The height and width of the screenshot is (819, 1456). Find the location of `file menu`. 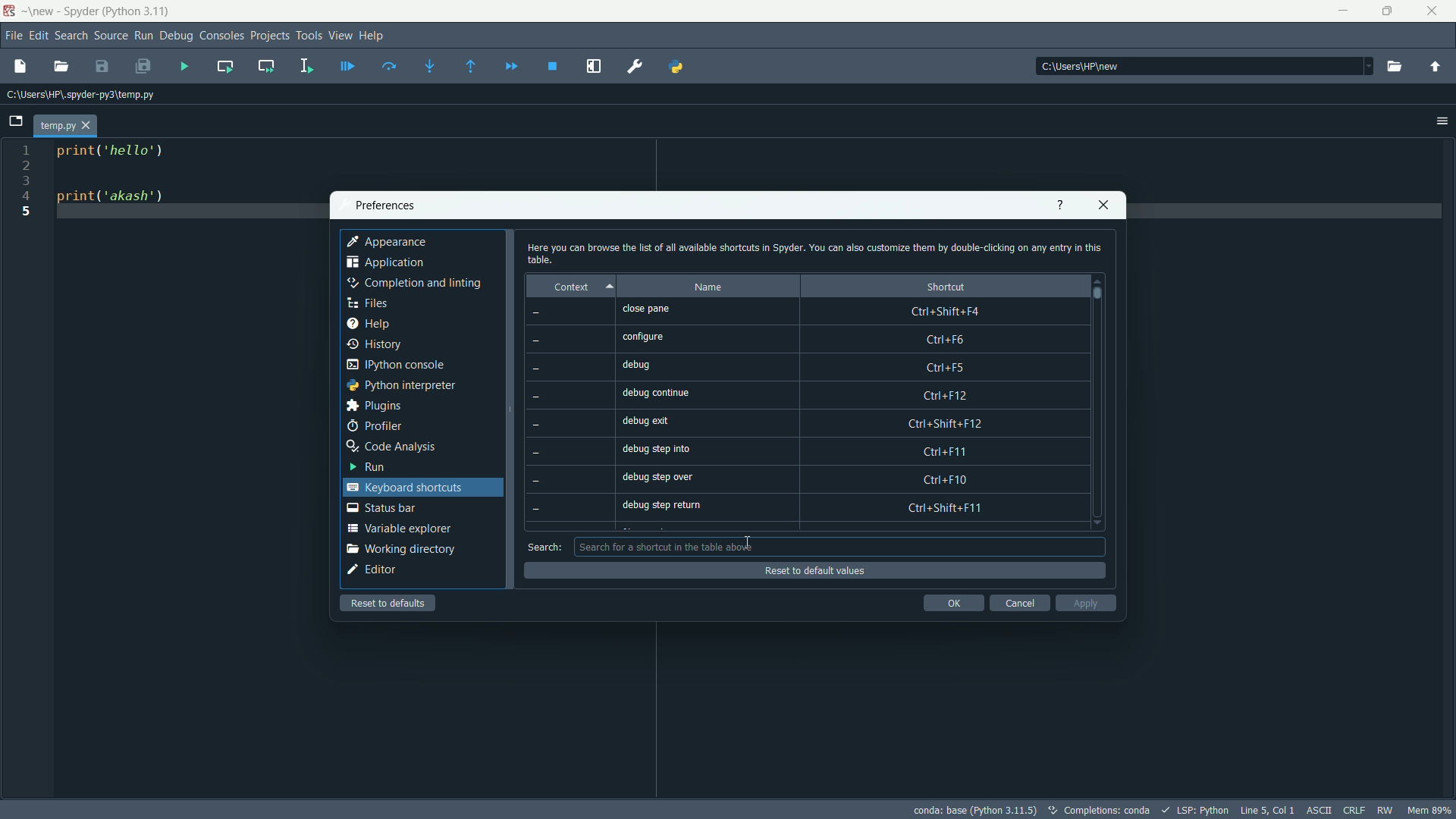

file menu is located at coordinates (13, 35).